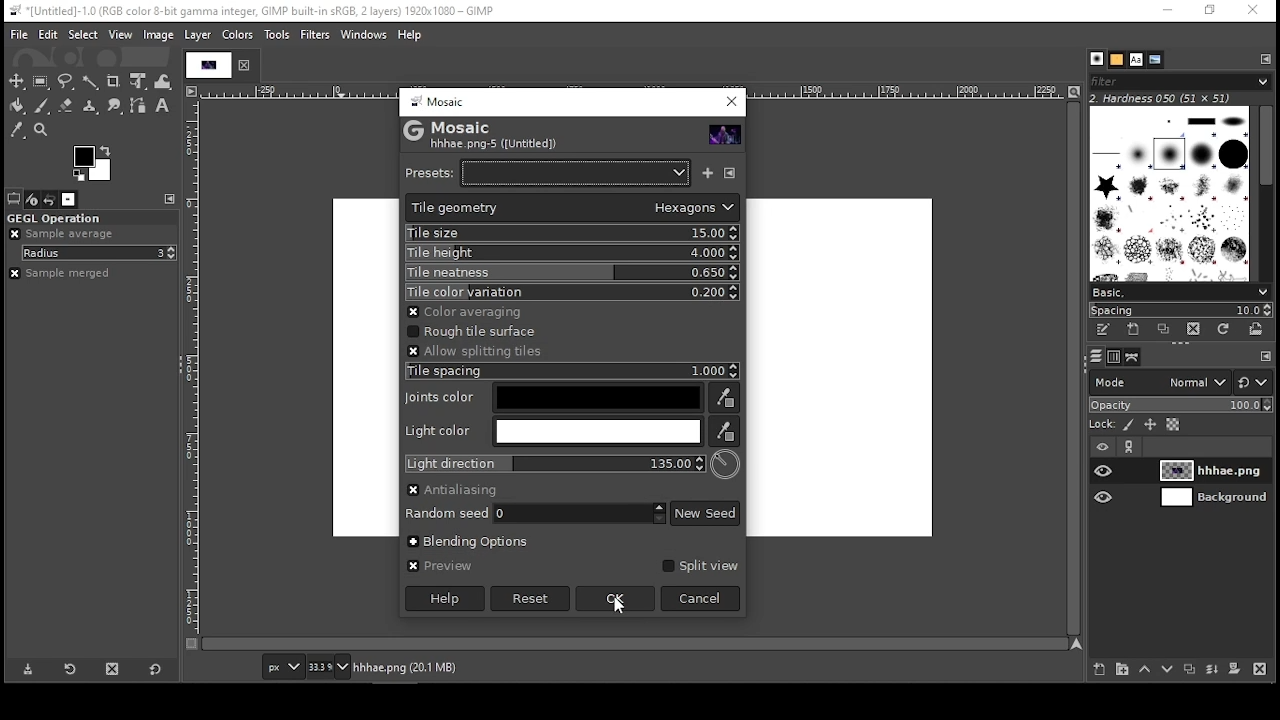 The height and width of the screenshot is (720, 1280). Describe the element at coordinates (486, 136) in the screenshot. I see `mosaic hhhae.png-5 ([untitled])` at that location.